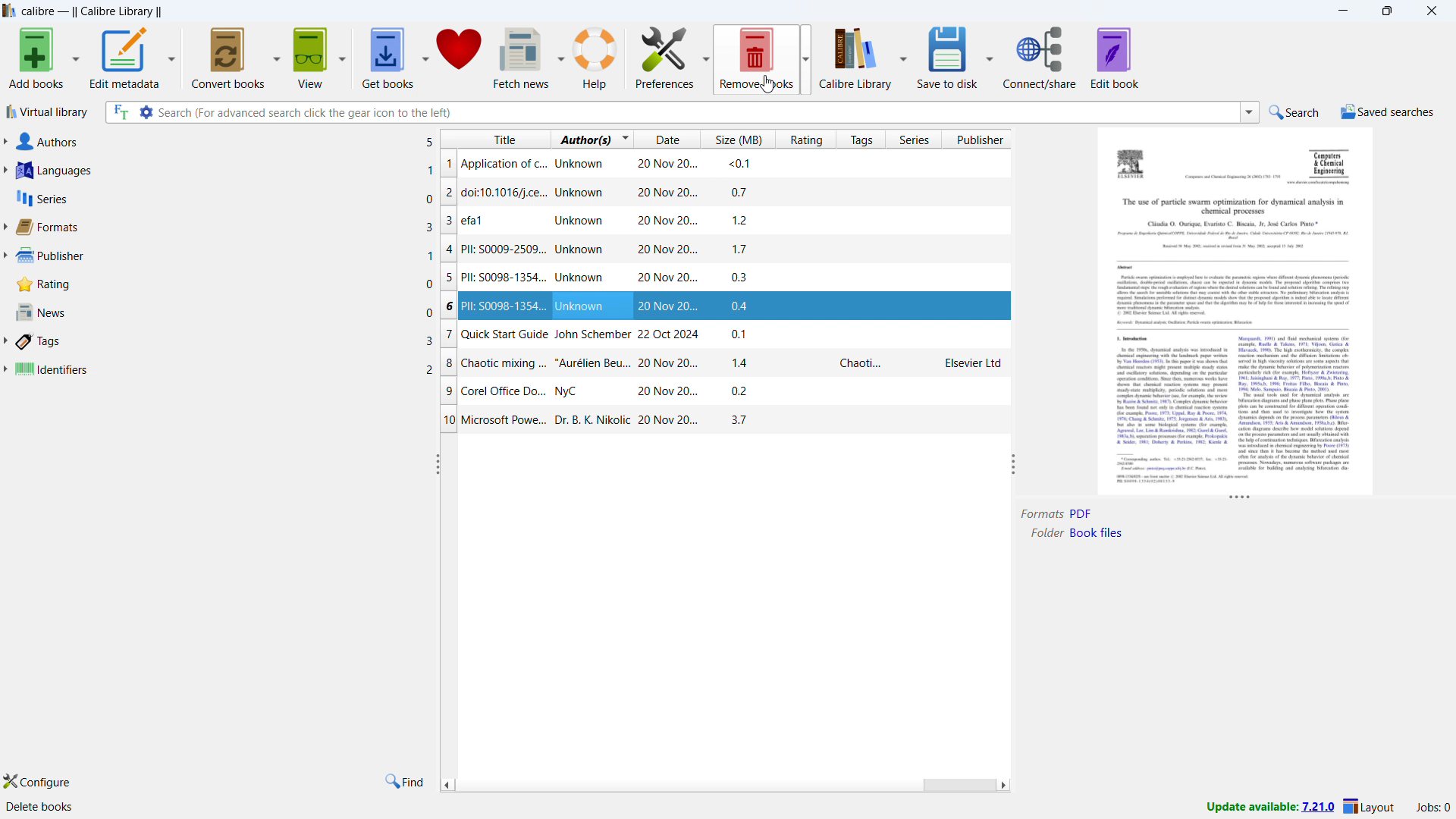  Describe the element at coordinates (705, 56) in the screenshot. I see `preferences options` at that location.